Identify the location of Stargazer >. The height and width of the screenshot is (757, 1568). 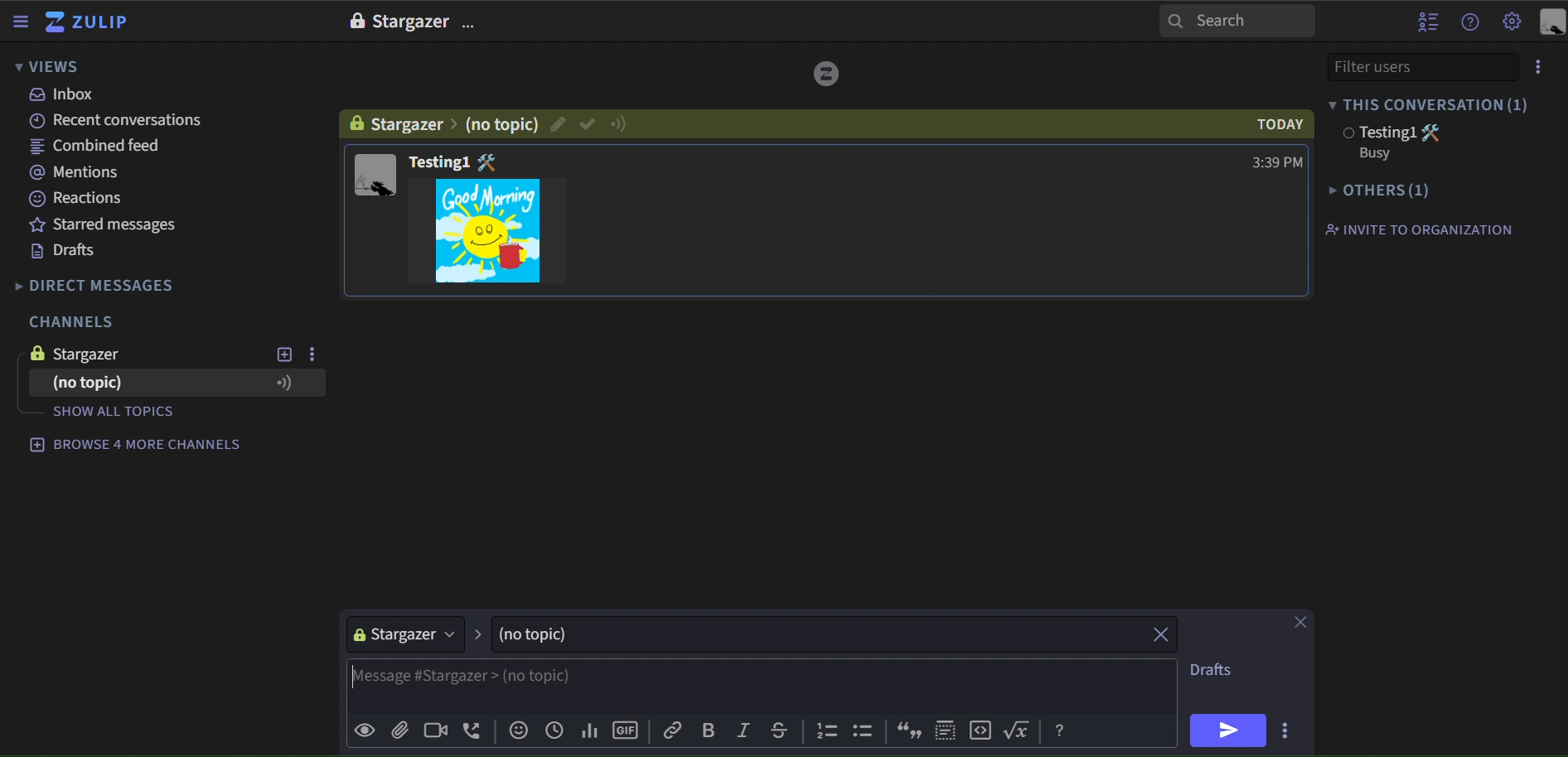
(409, 125).